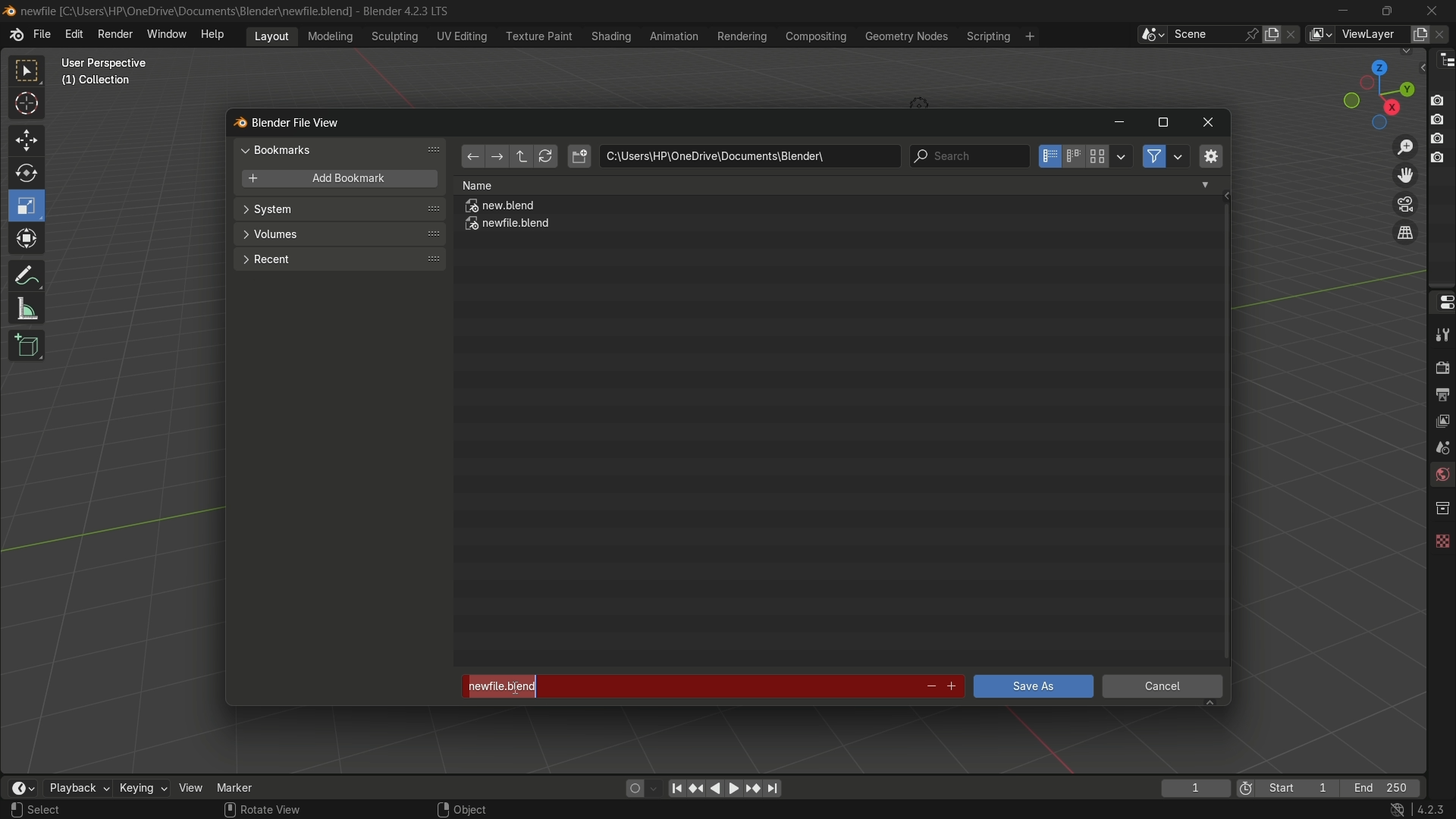  I want to click on sculpting menu, so click(391, 36).